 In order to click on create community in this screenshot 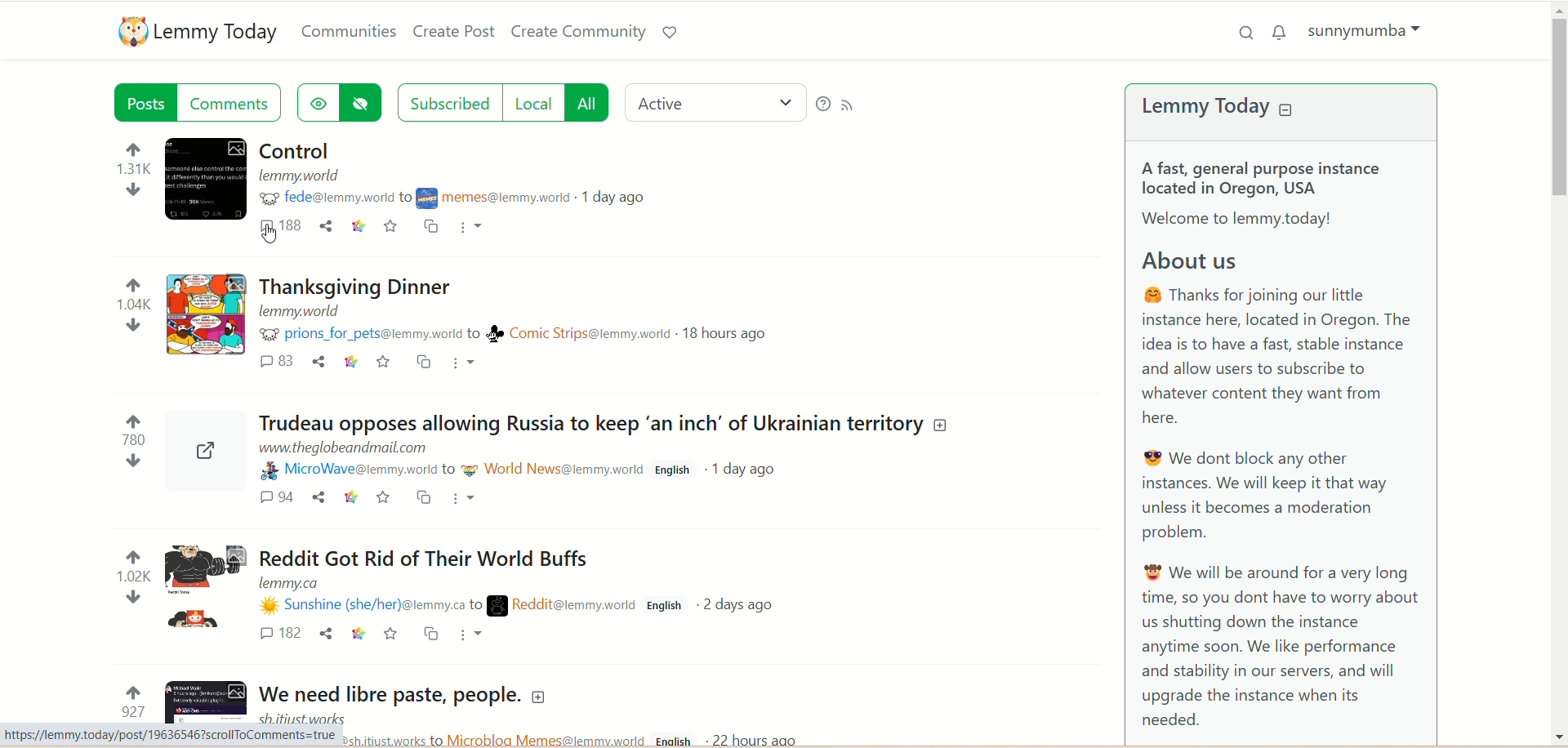, I will do `click(579, 33)`.